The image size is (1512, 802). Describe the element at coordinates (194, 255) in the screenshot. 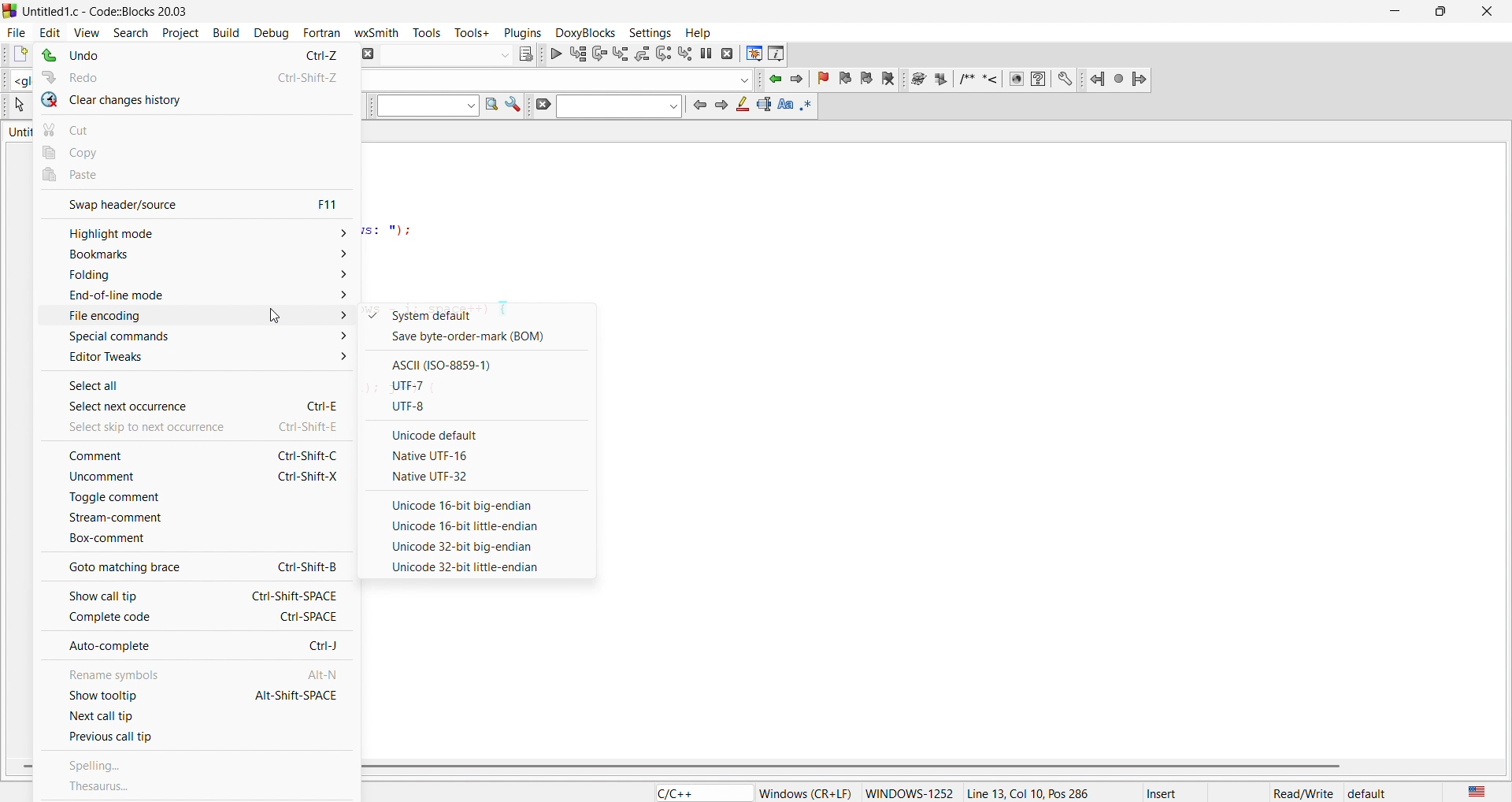

I see `bookmarks` at that location.